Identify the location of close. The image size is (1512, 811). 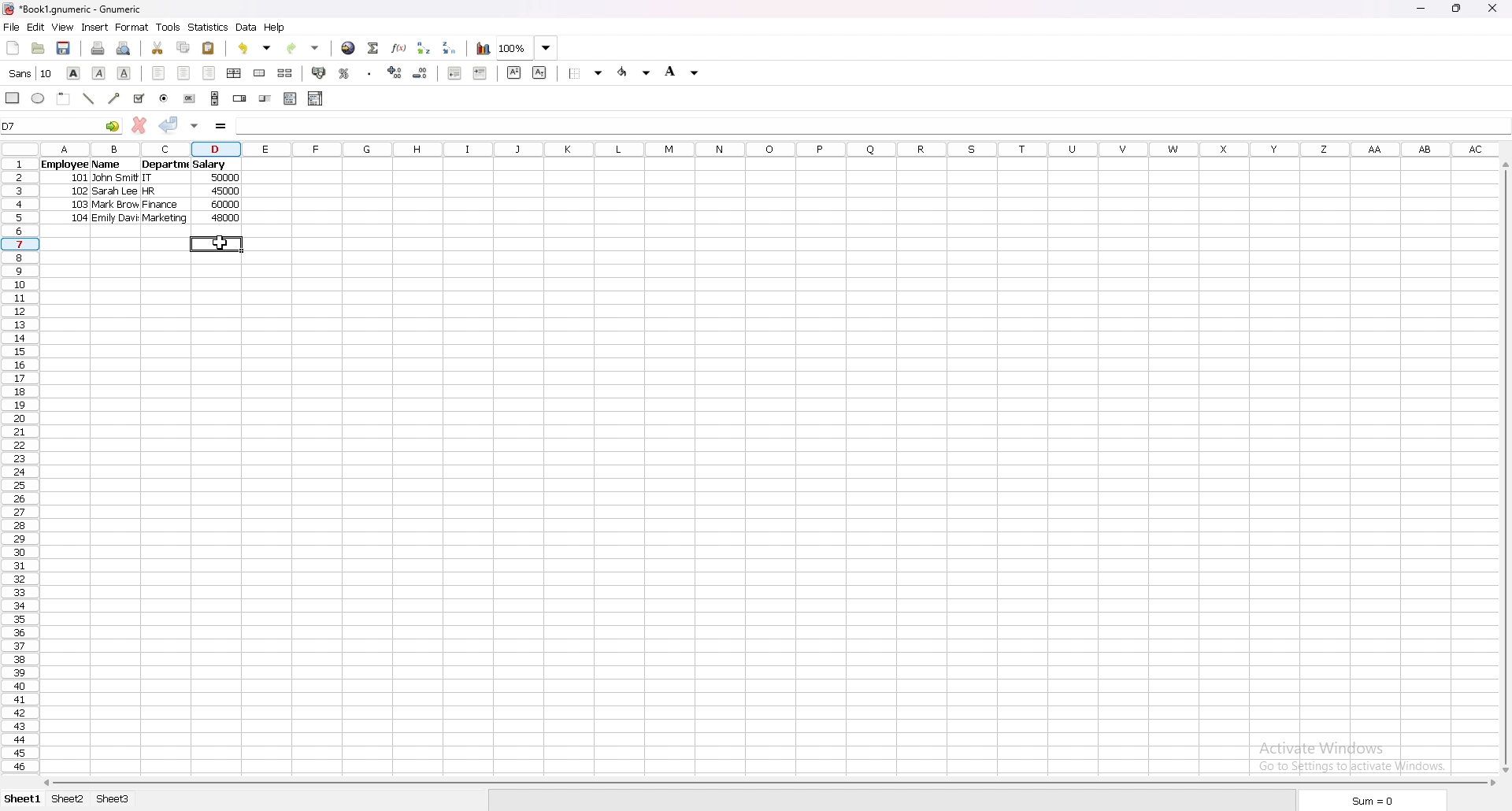
(1492, 9).